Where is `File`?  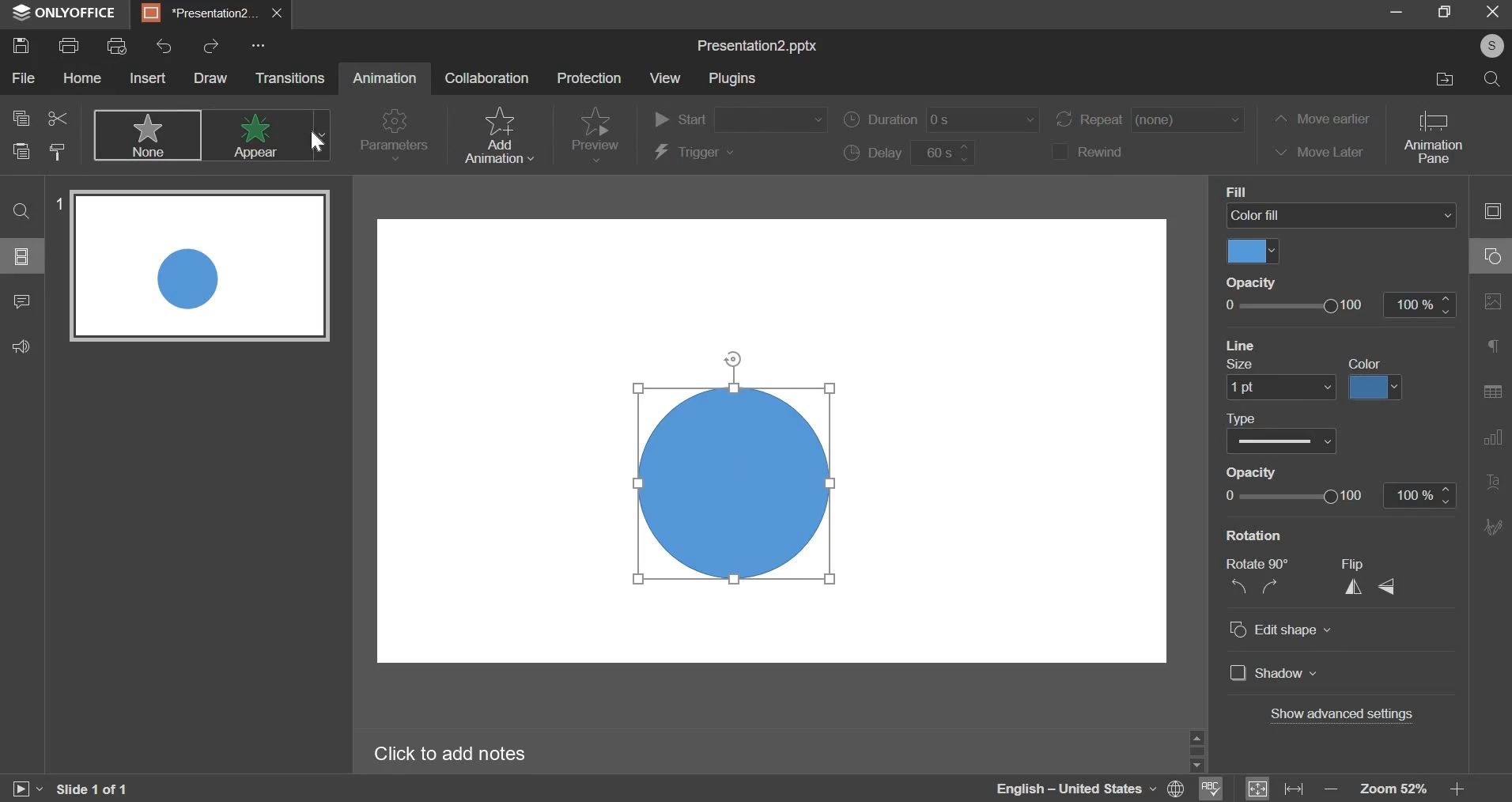
File is located at coordinates (22, 78).